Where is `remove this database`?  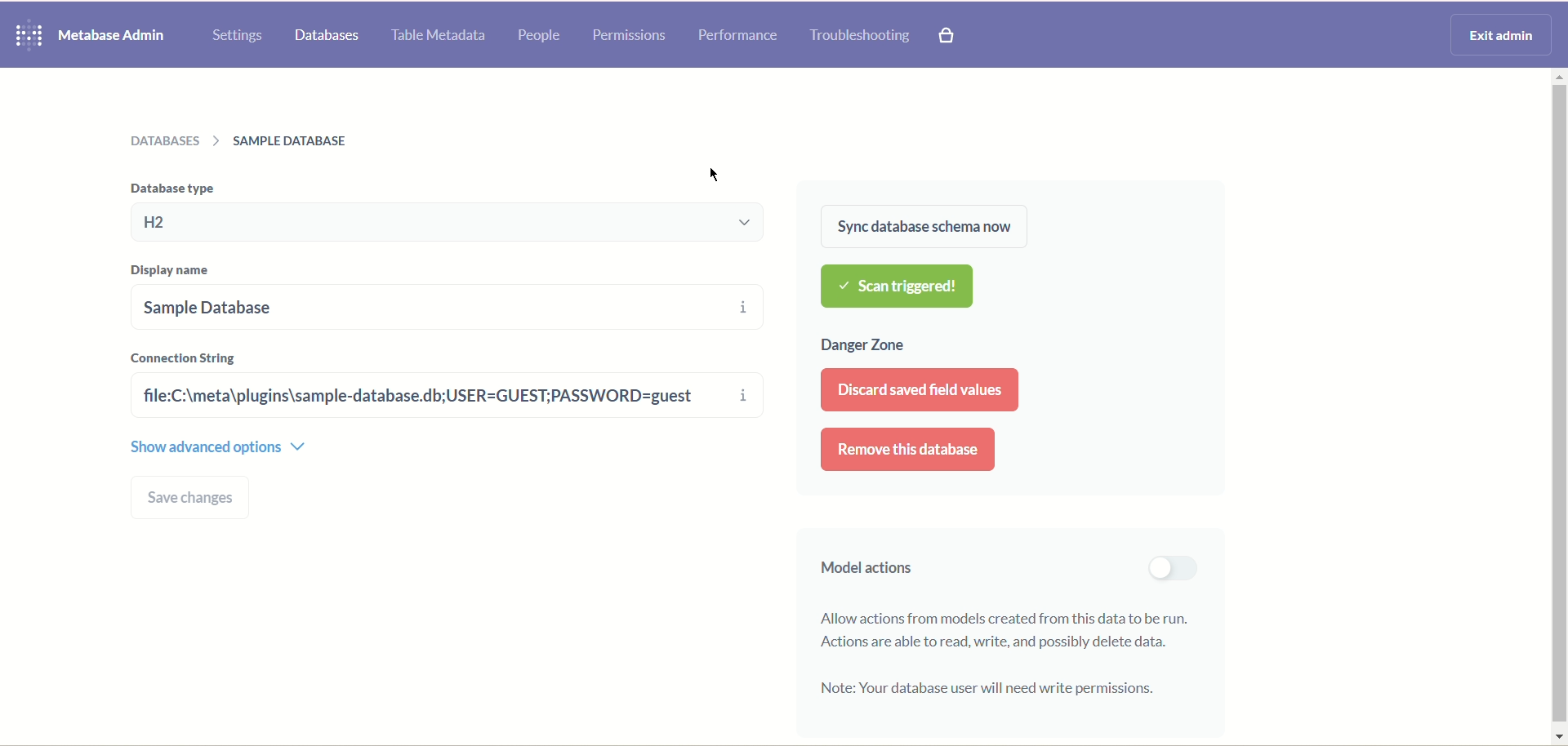
remove this database is located at coordinates (909, 450).